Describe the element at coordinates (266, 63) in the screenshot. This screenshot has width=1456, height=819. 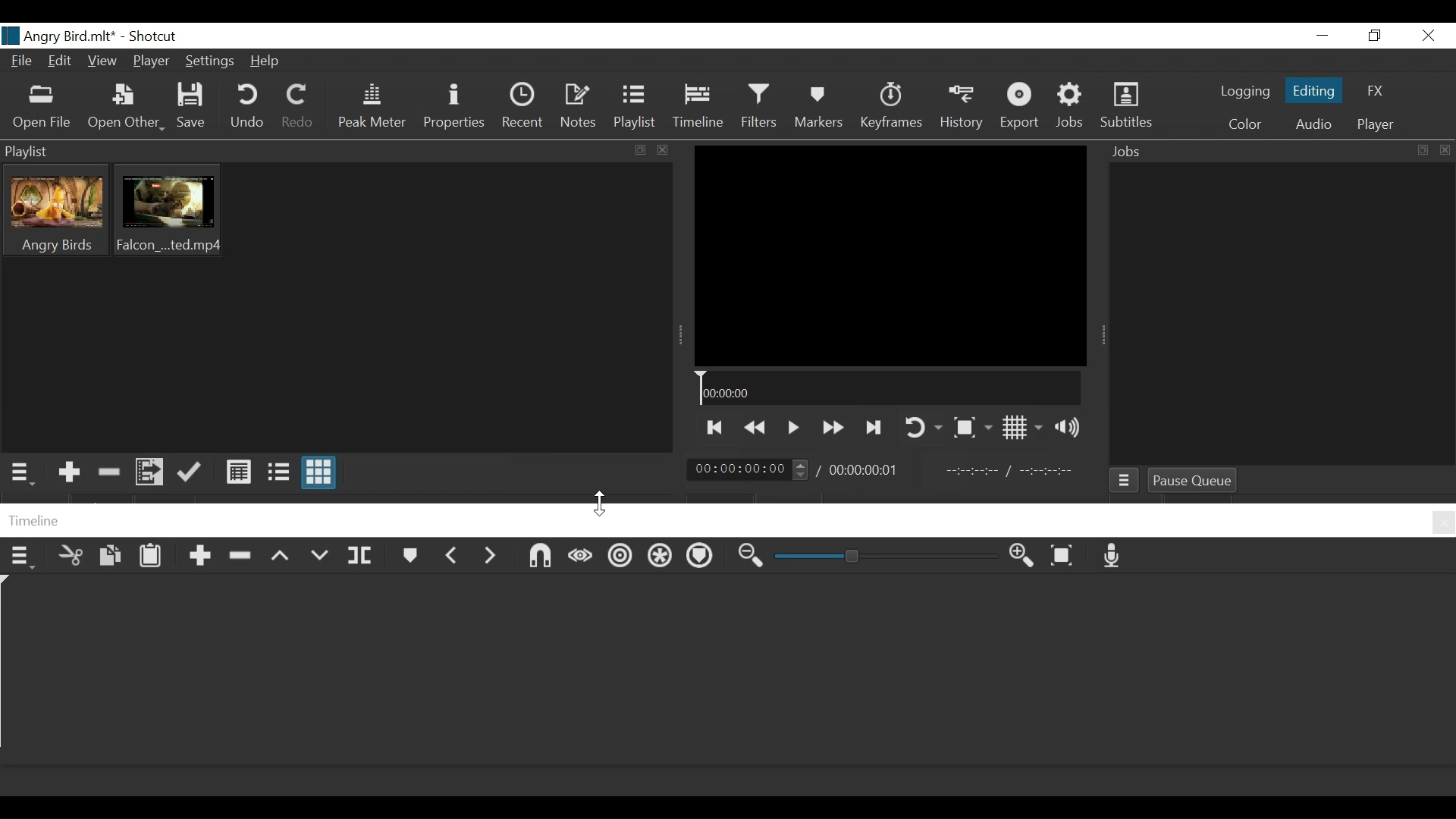
I see `Help` at that location.